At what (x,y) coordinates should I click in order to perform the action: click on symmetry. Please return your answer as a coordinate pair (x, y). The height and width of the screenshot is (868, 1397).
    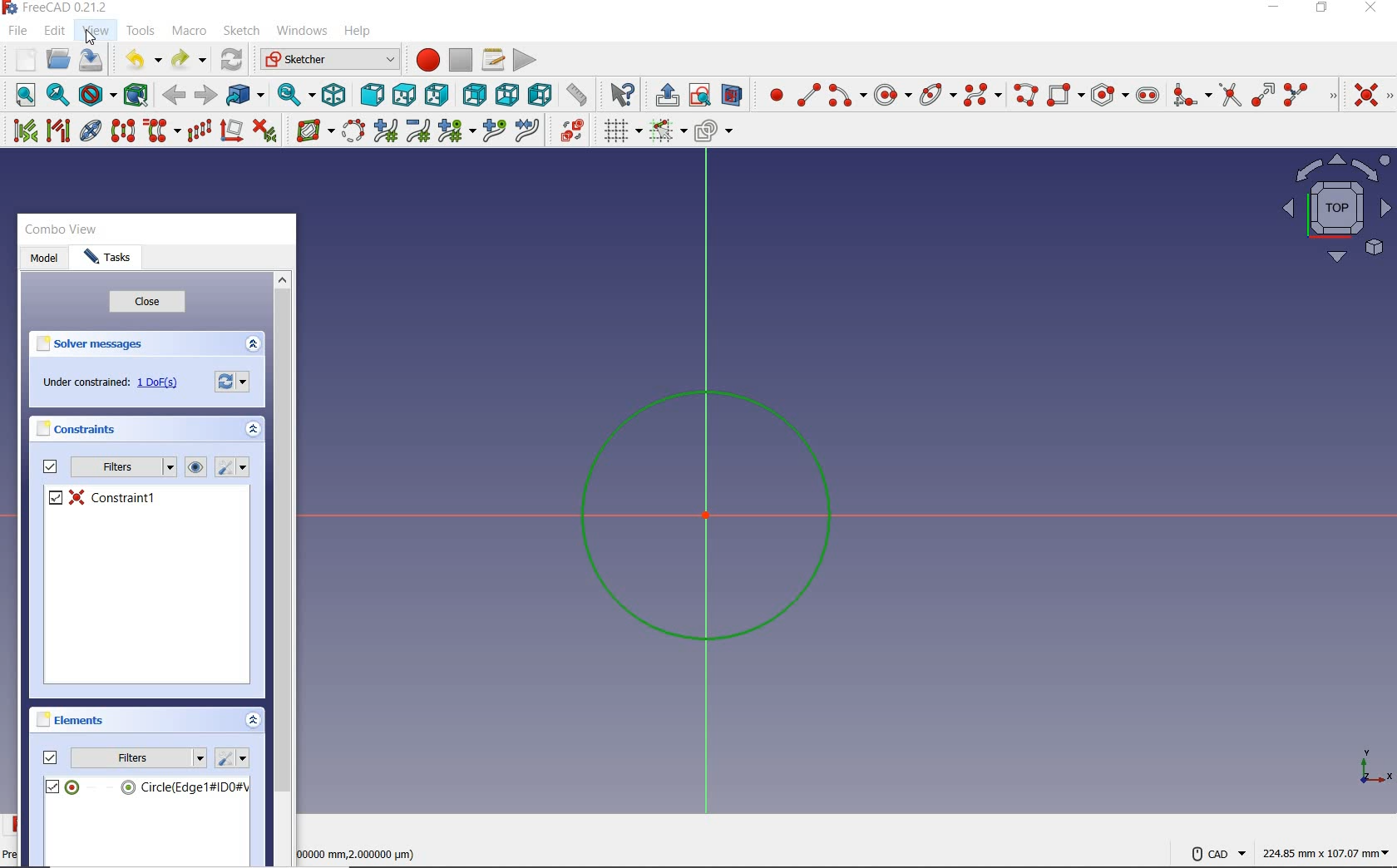
    Looking at the image, I should click on (123, 131).